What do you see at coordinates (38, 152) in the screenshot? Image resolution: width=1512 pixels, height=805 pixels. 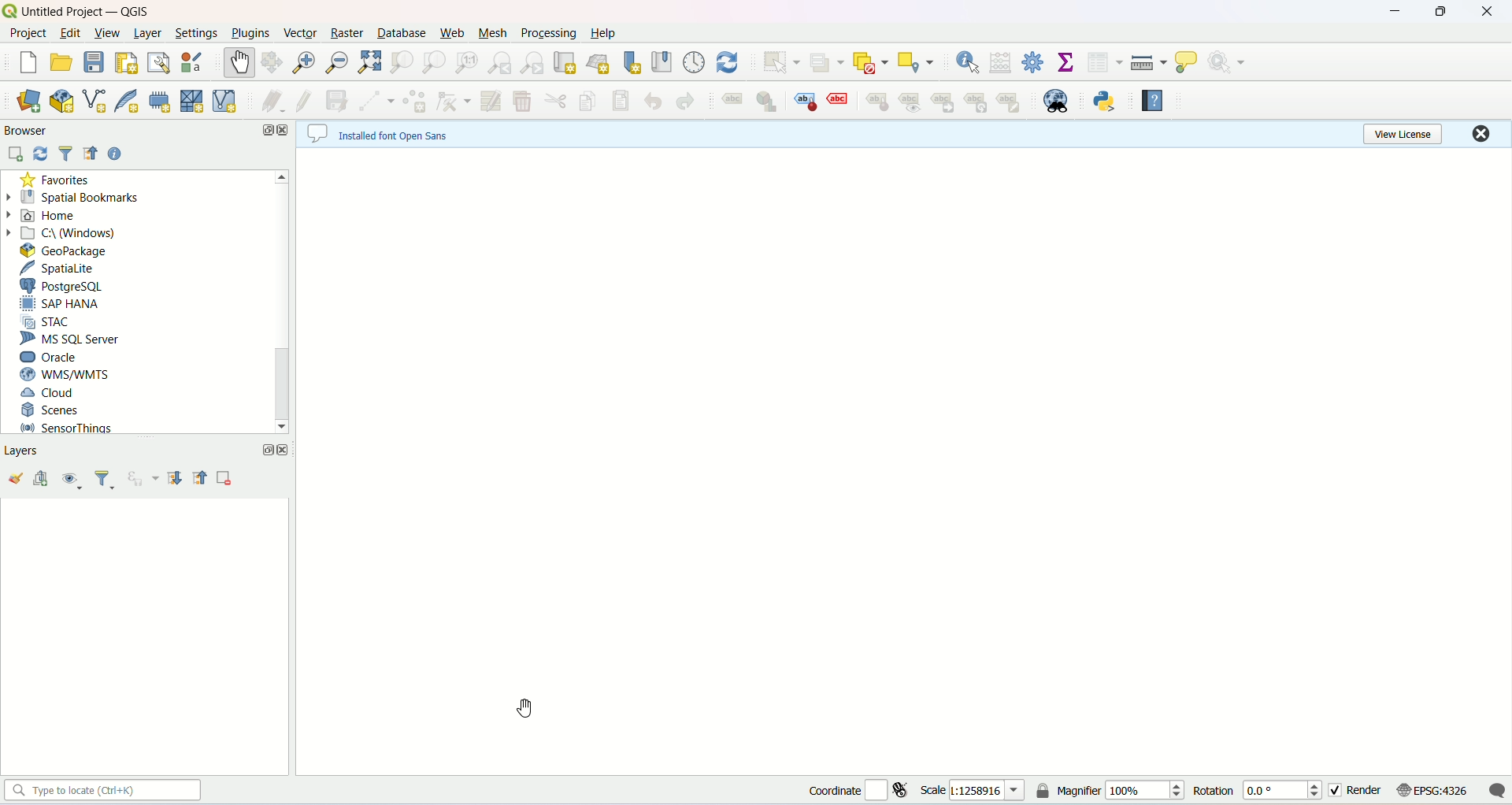 I see `refresh` at bounding box center [38, 152].